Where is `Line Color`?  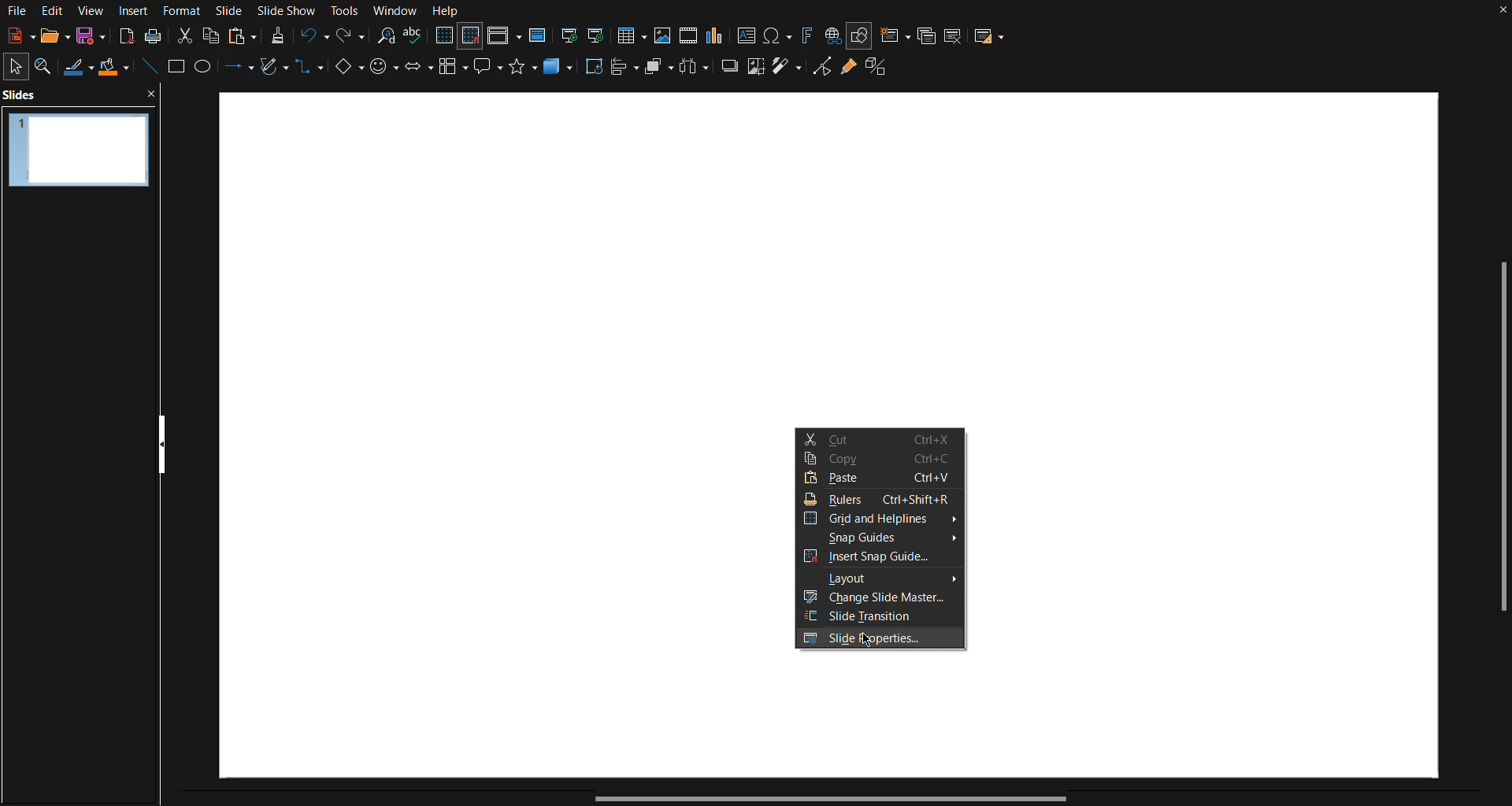 Line Color is located at coordinates (78, 68).